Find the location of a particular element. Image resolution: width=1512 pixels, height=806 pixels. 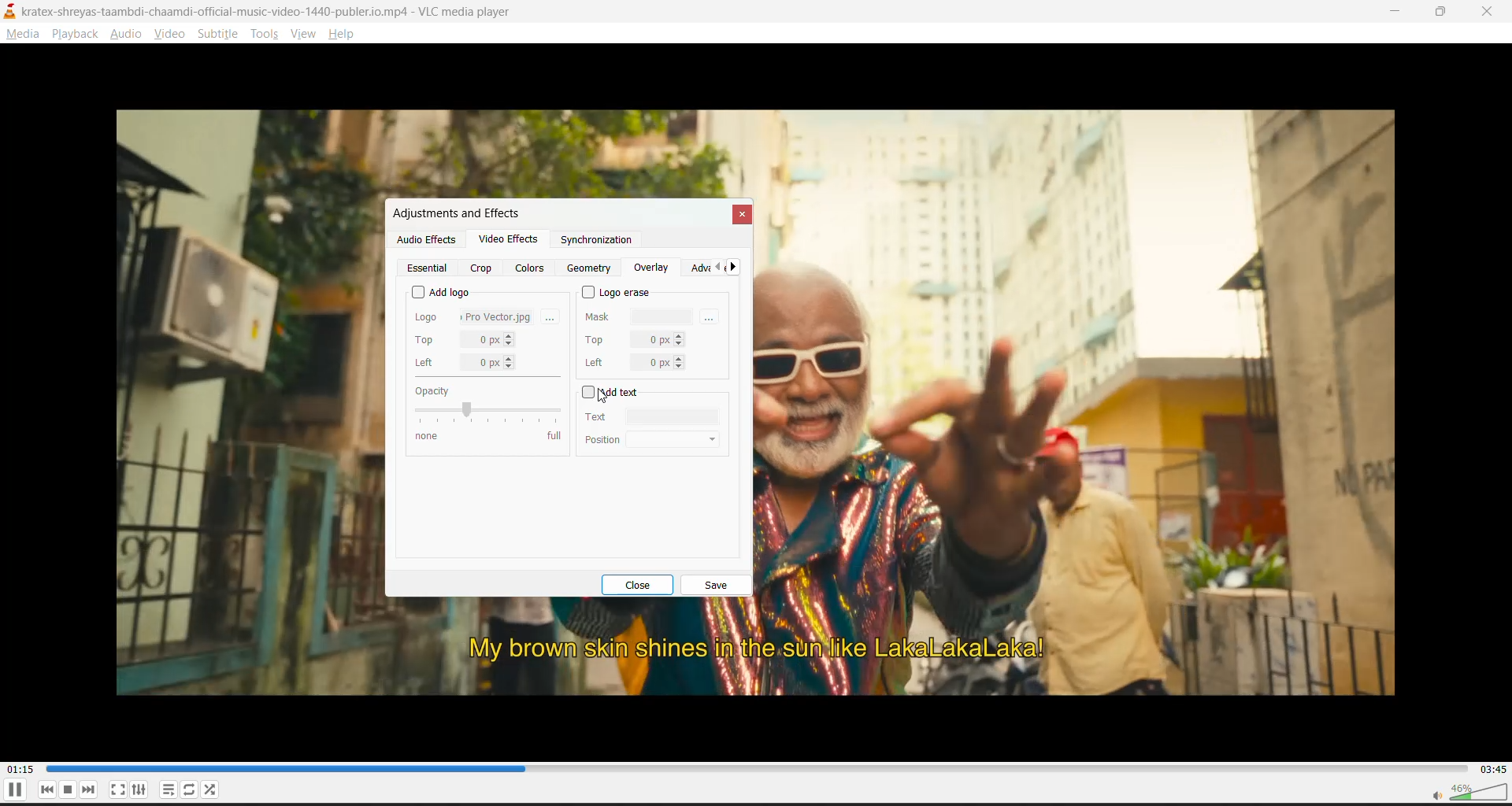

My brown skin shines in the sun like LakaLakaLaka! is located at coordinates (752, 652).